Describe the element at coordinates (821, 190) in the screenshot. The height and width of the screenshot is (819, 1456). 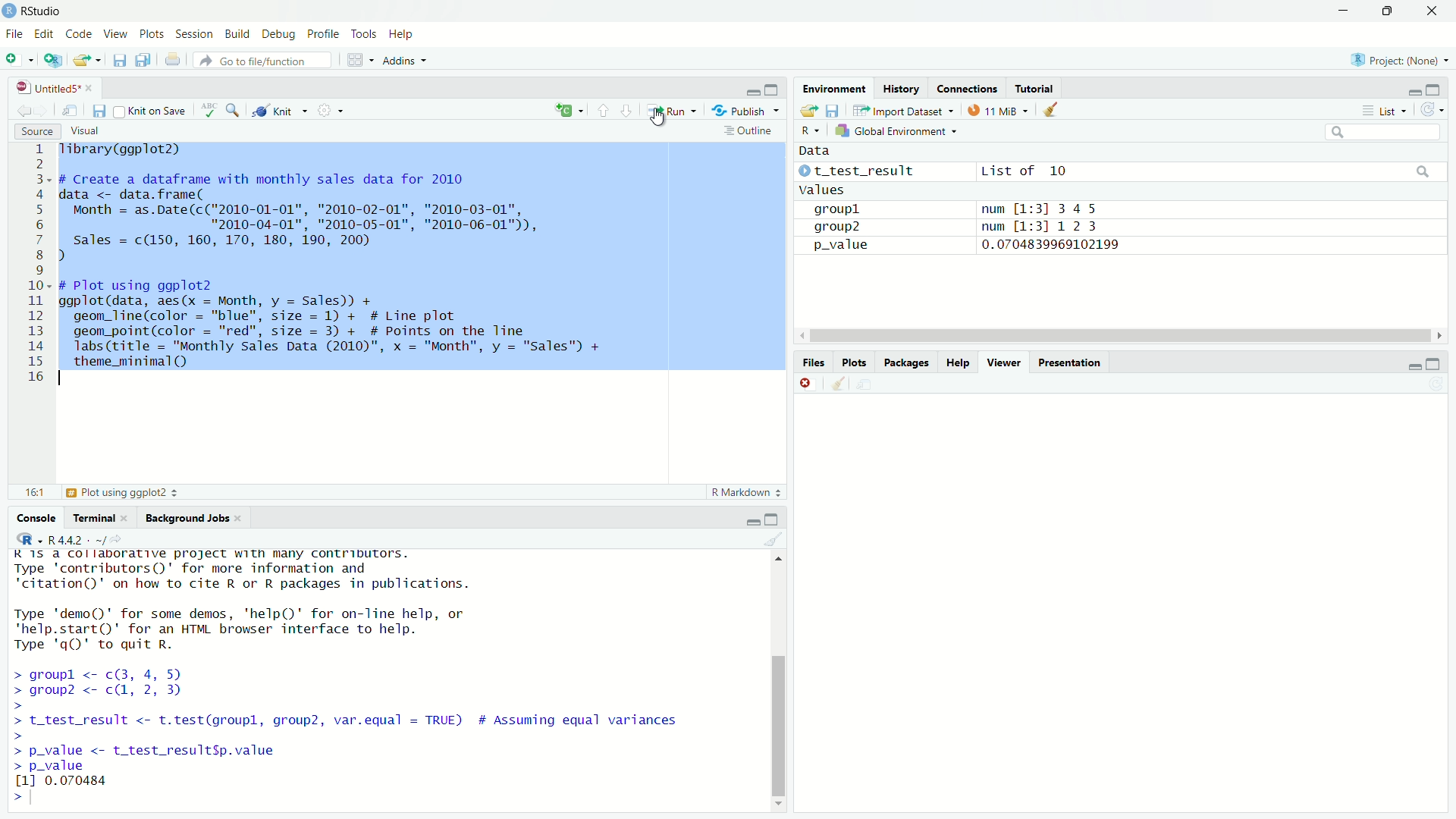
I see `Values` at that location.